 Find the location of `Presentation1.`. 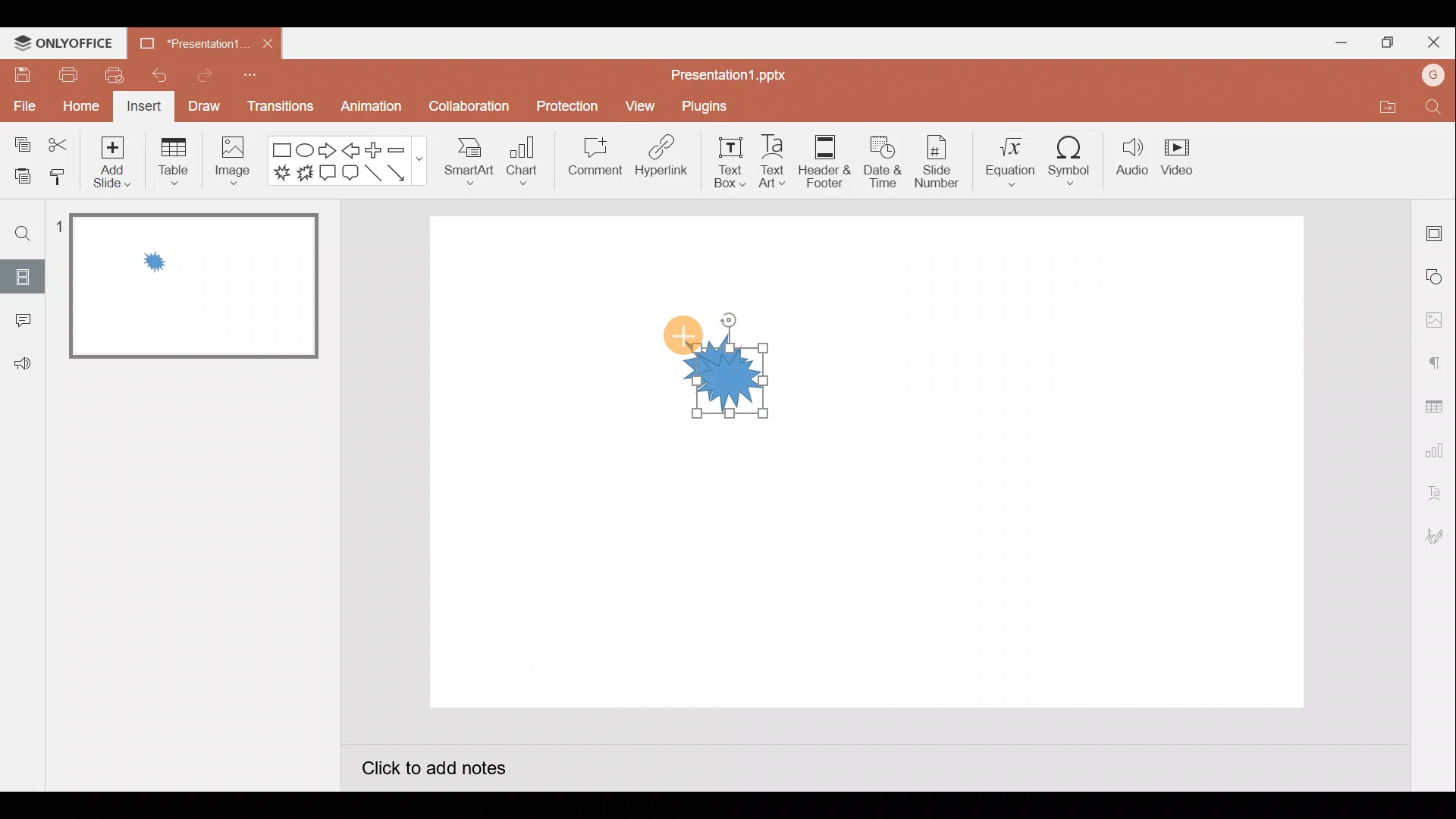

Presentation1. is located at coordinates (190, 41).